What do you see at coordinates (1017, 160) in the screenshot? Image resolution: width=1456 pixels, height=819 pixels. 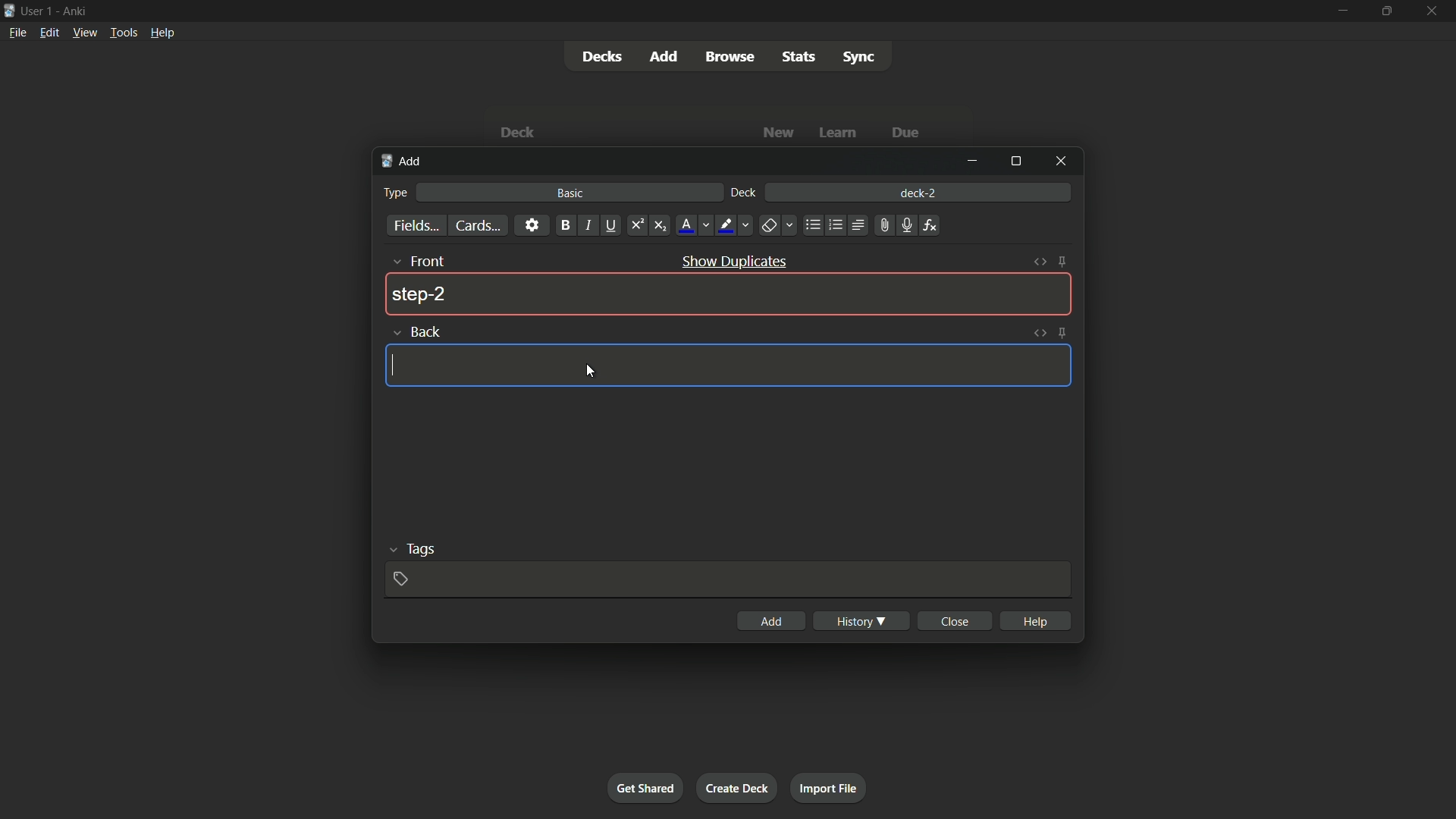 I see `maximize` at bounding box center [1017, 160].